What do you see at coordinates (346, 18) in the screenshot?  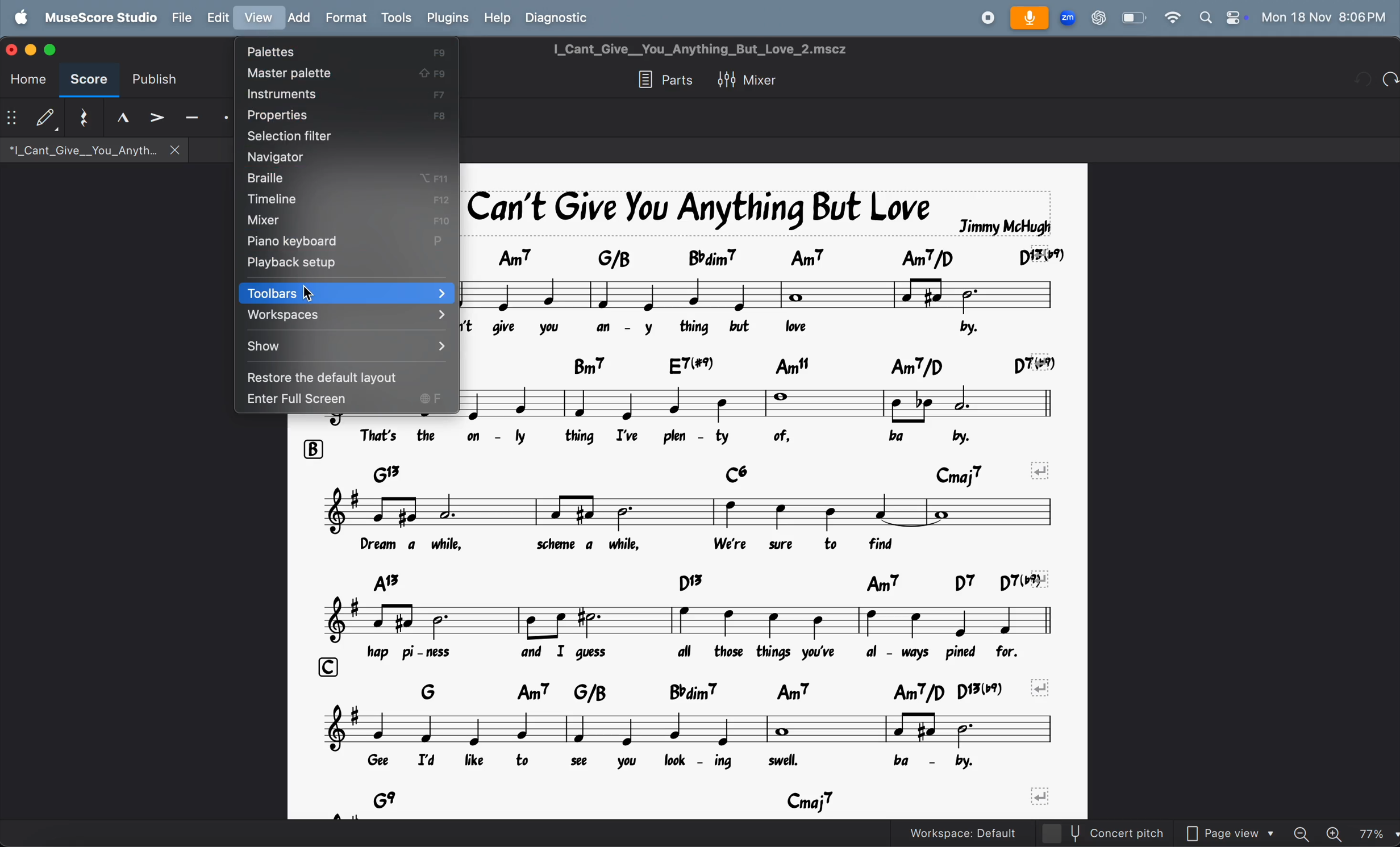 I see `format` at bounding box center [346, 18].